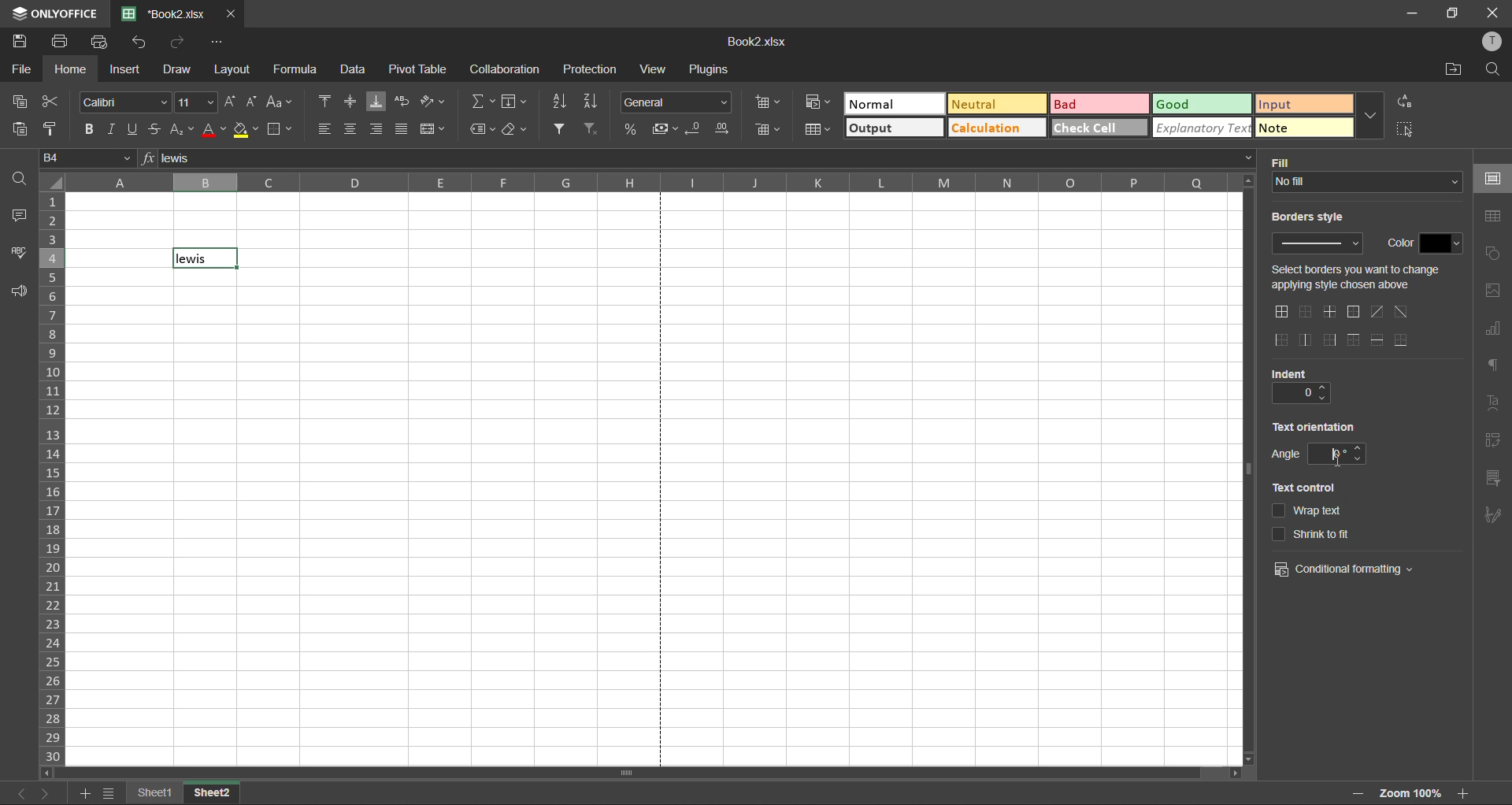 The image size is (1512, 805). What do you see at coordinates (253, 102) in the screenshot?
I see `decrement size` at bounding box center [253, 102].